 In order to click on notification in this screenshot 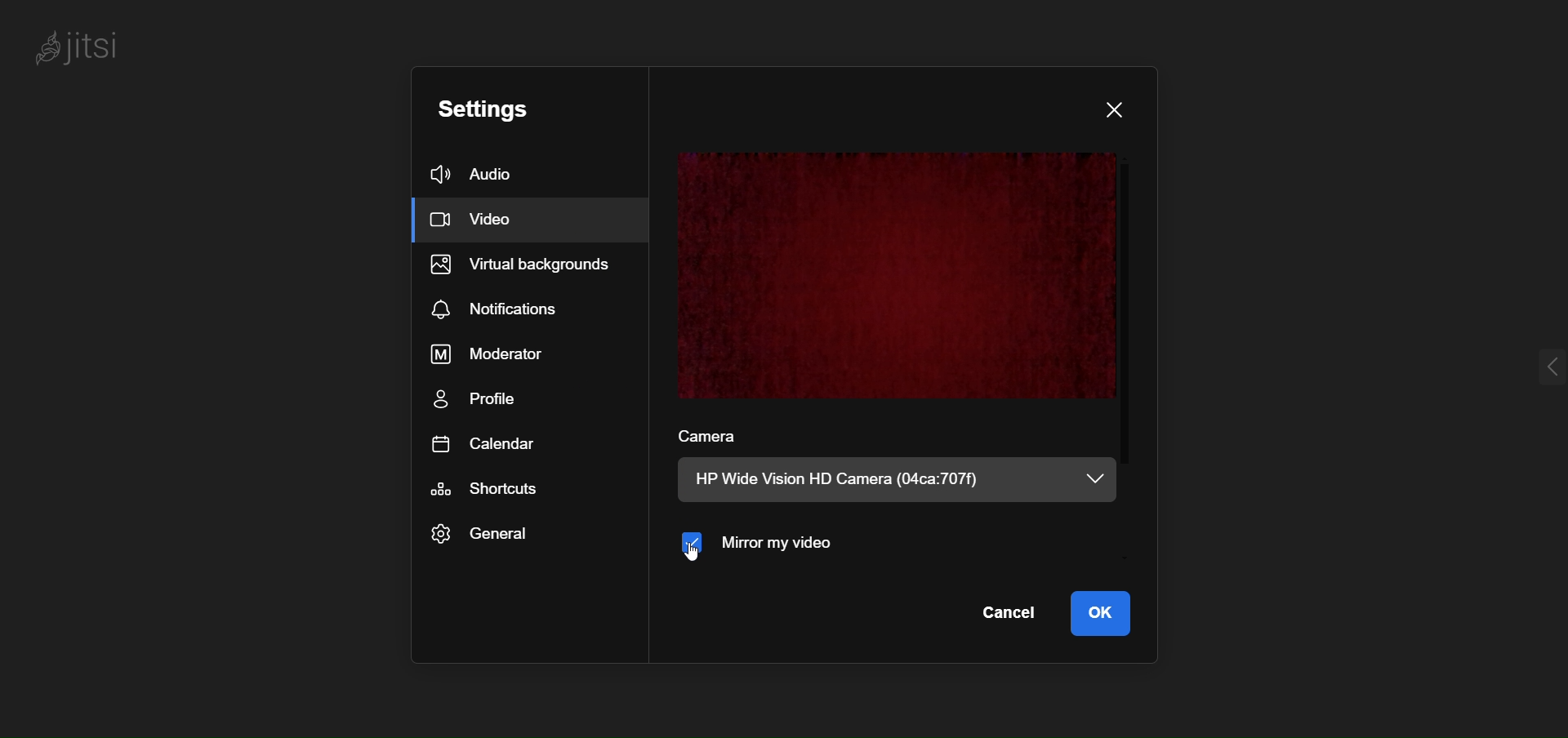, I will do `click(496, 308)`.